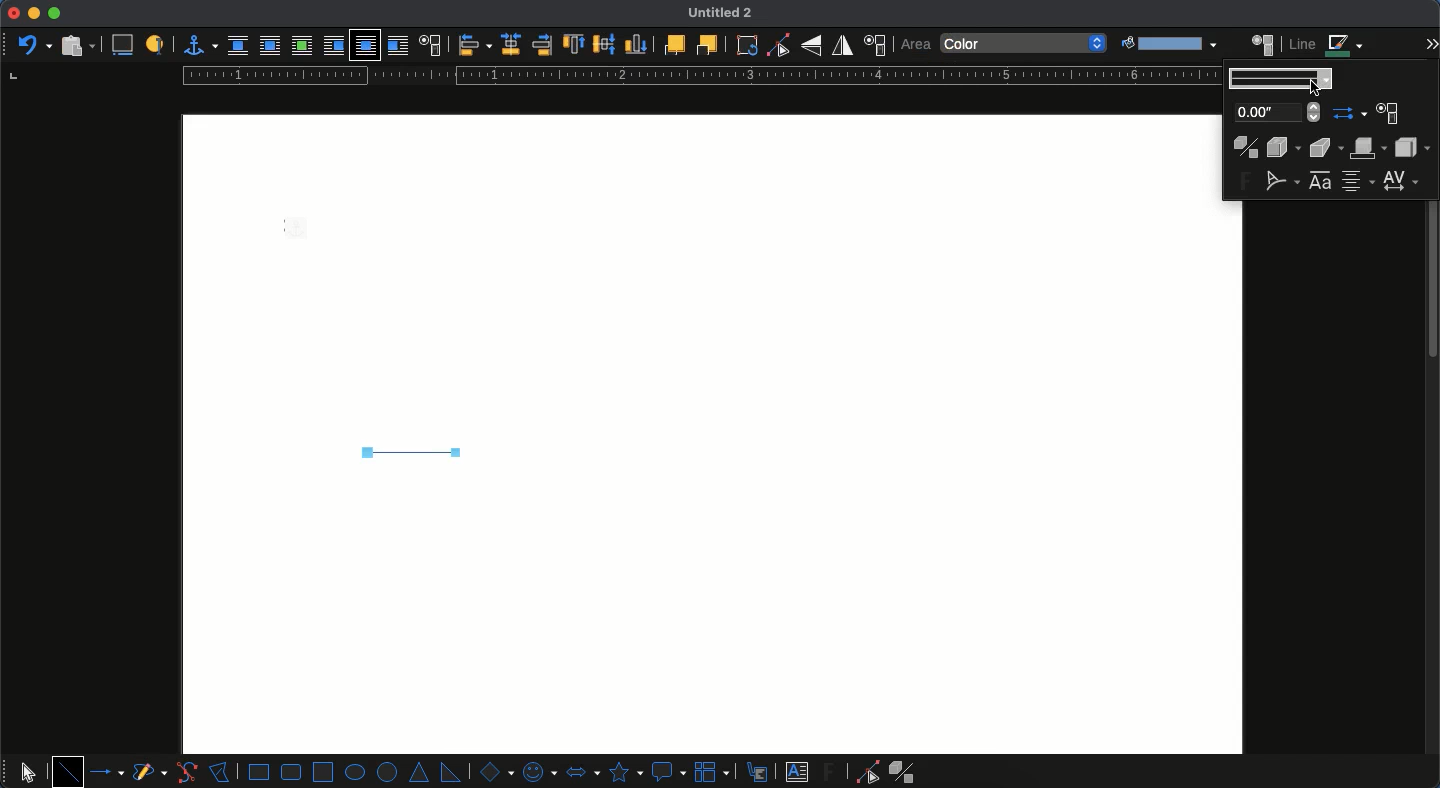  Describe the element at coordinates (389, 773) in the screenshot. I see `circle` at that location.